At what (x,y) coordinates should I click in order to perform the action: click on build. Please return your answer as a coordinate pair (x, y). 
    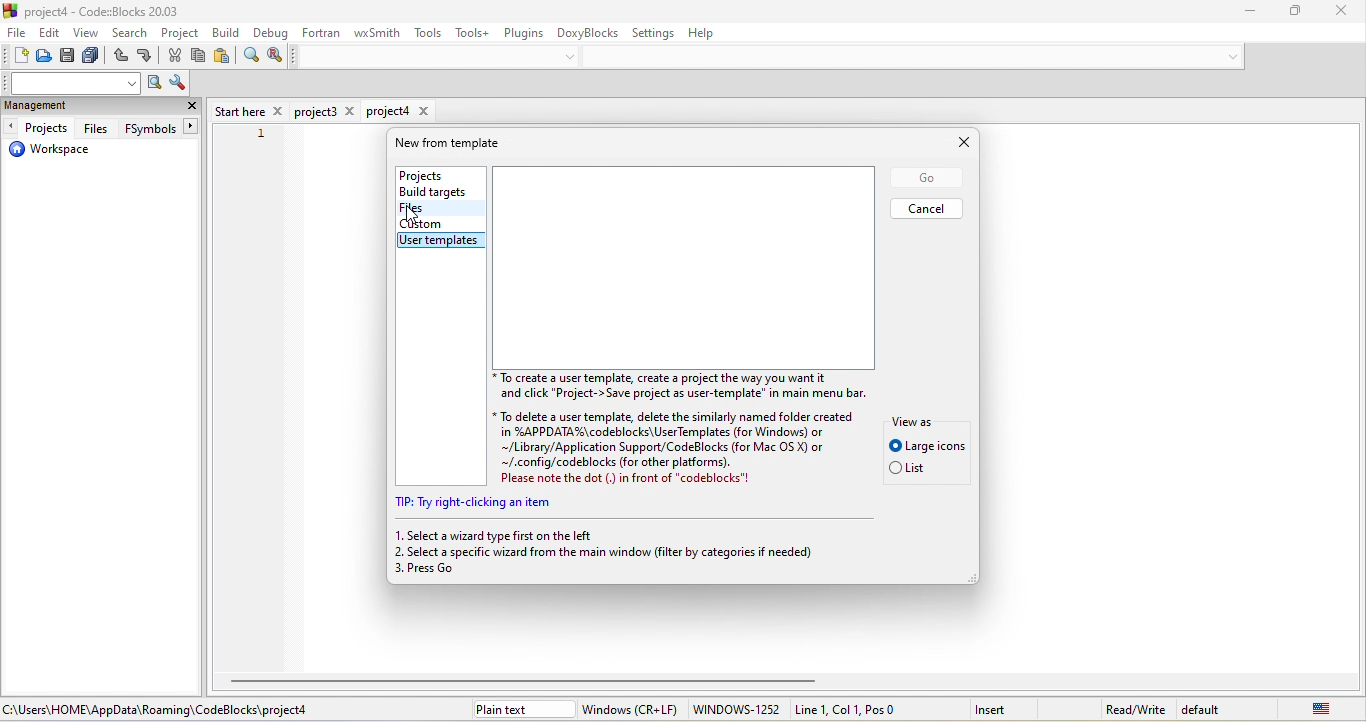
    Looking at the image, I should click on (228, 32).